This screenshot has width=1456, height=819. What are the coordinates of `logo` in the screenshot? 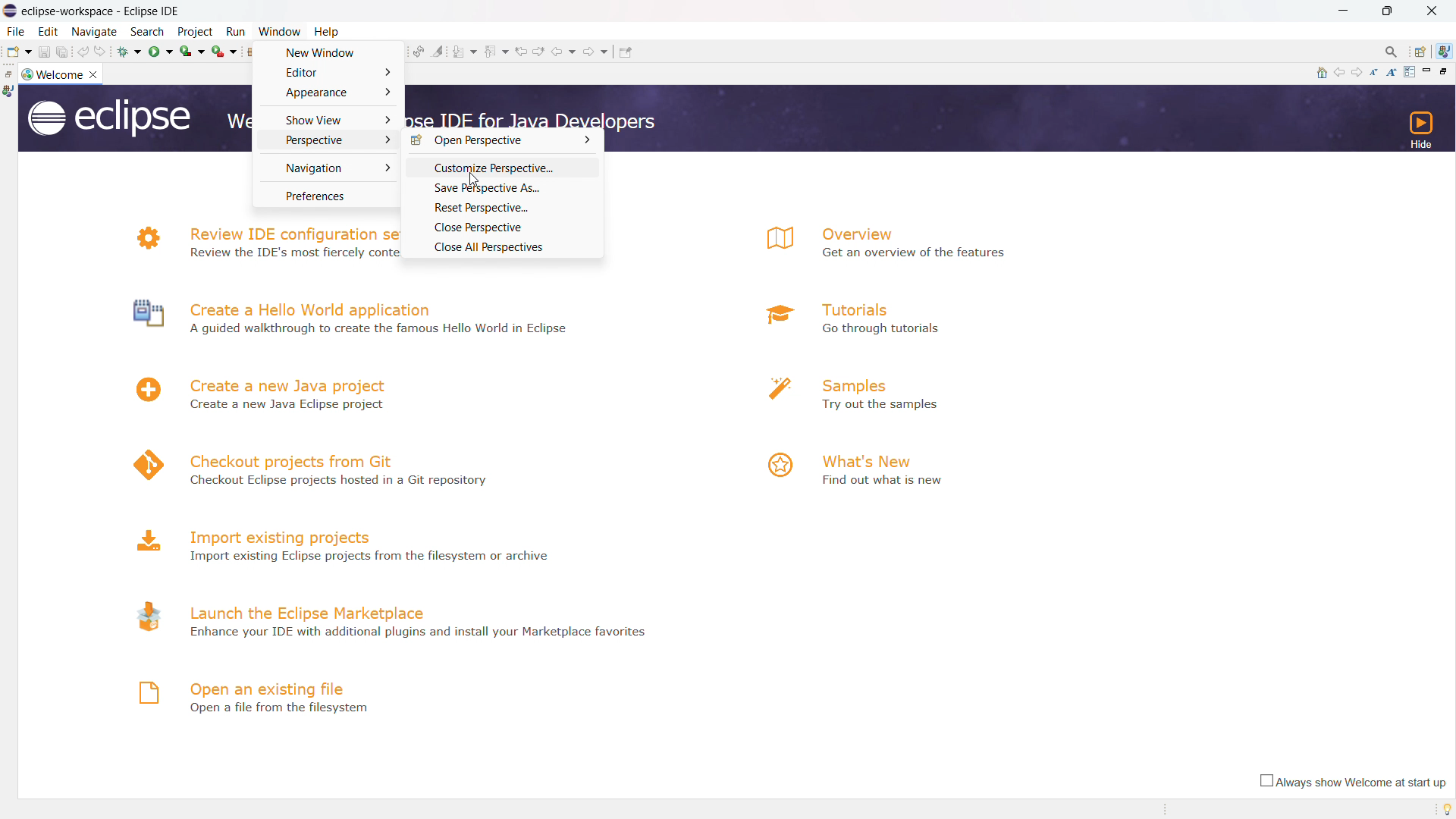 It's located at (770, 239).